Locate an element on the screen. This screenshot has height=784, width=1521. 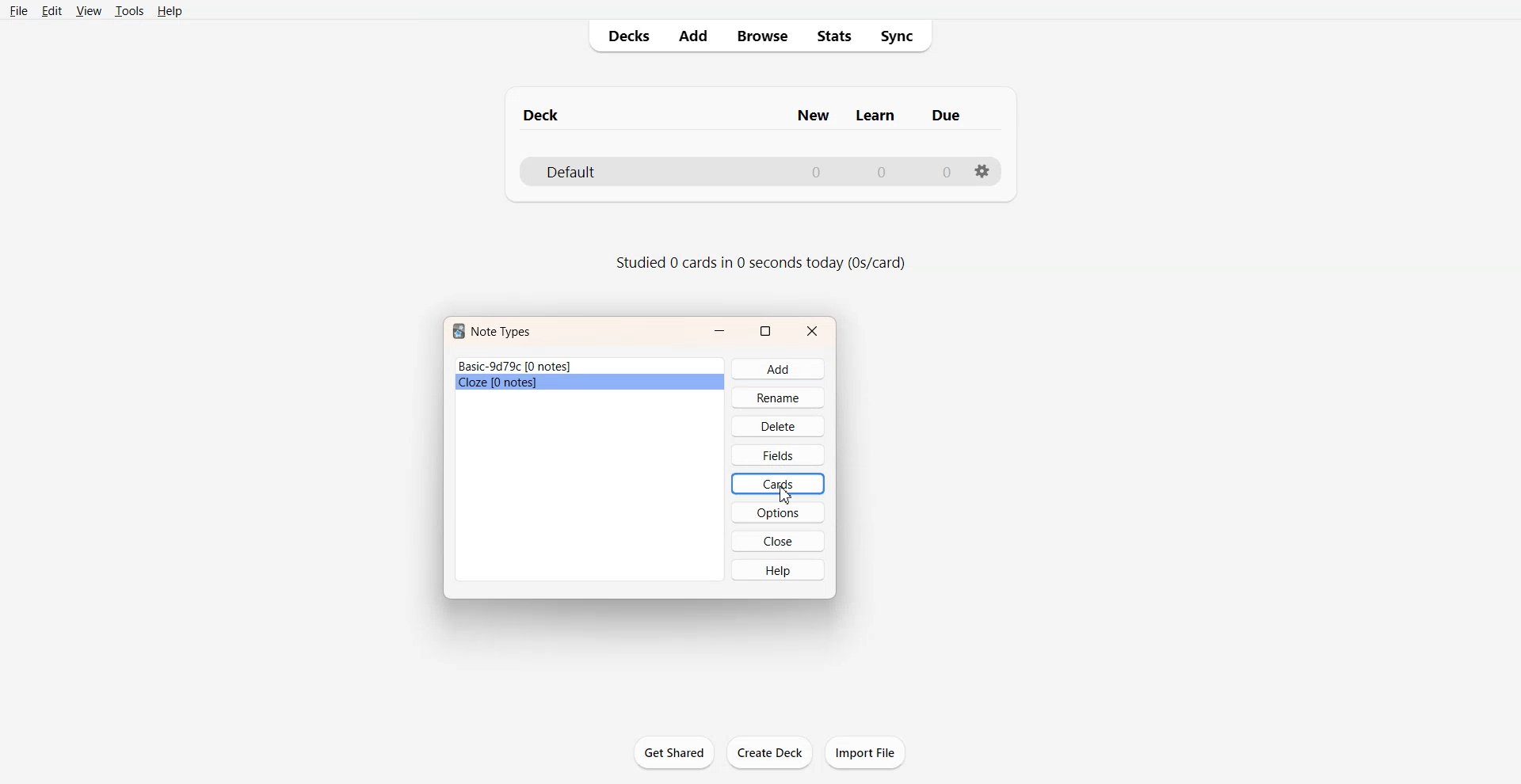
Decks is located at coordinates (623, 36).